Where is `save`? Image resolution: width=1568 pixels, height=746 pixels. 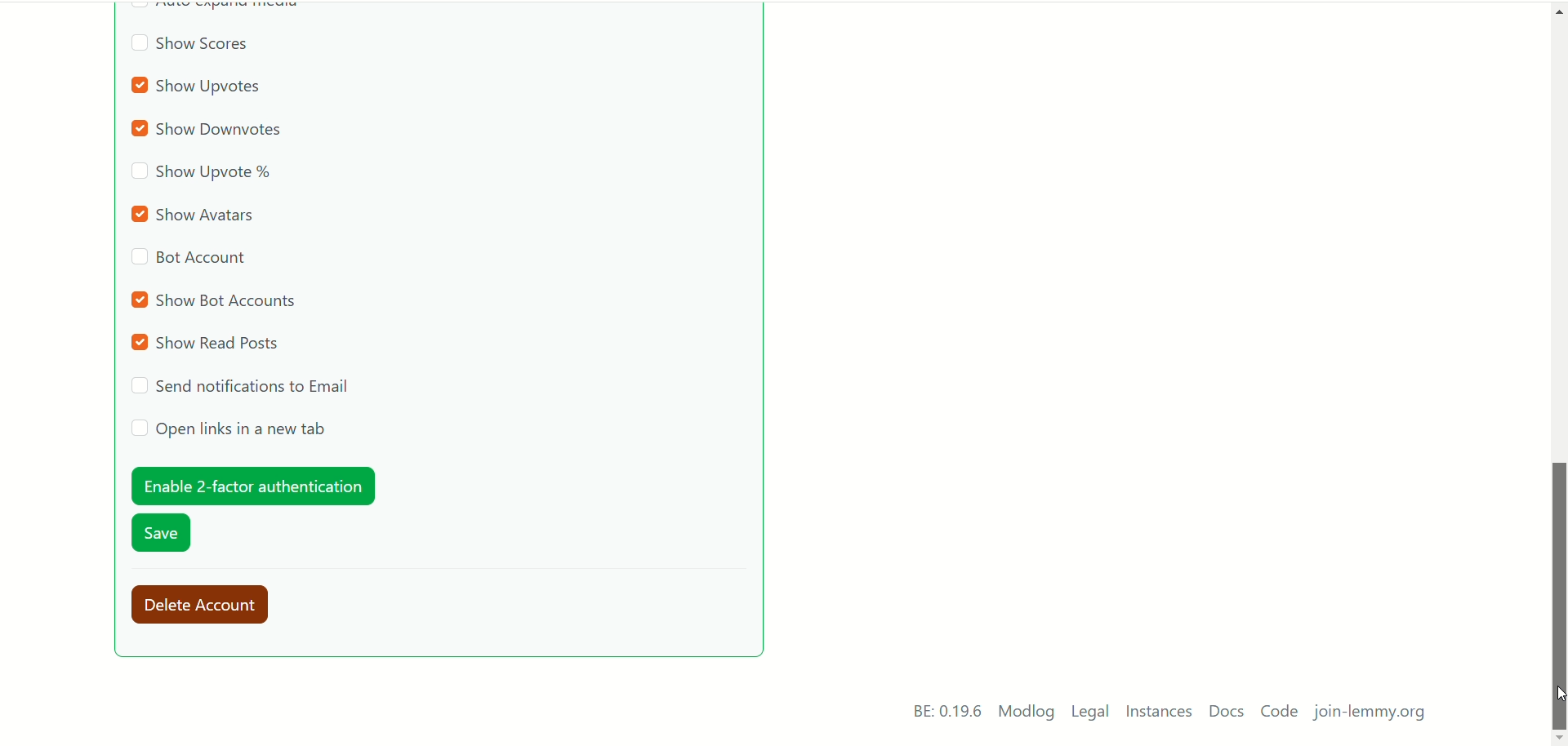
save is located at coordinates (163, 535).